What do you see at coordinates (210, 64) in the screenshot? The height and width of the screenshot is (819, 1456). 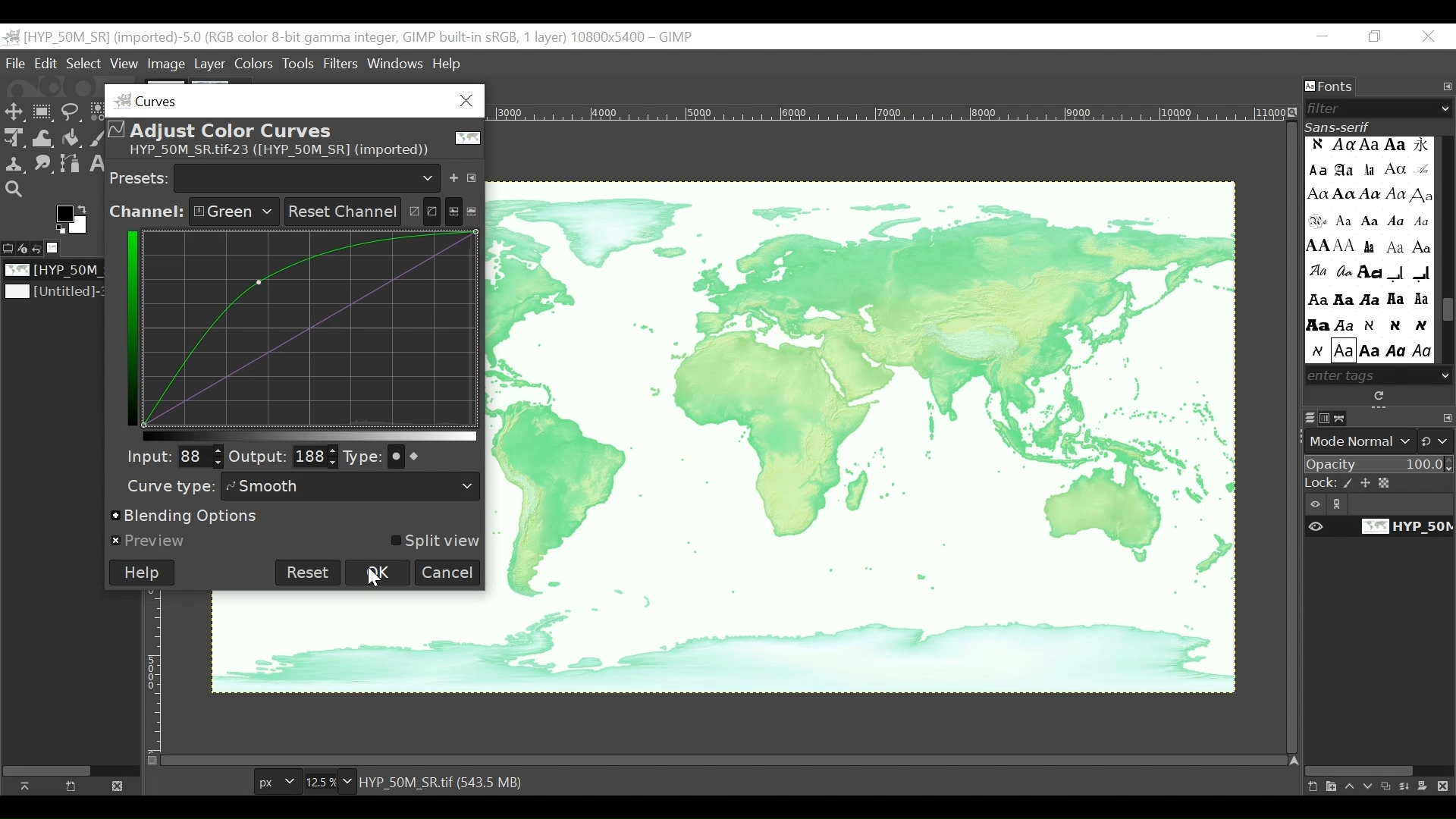 I see `` at bounding box center [210, 64].